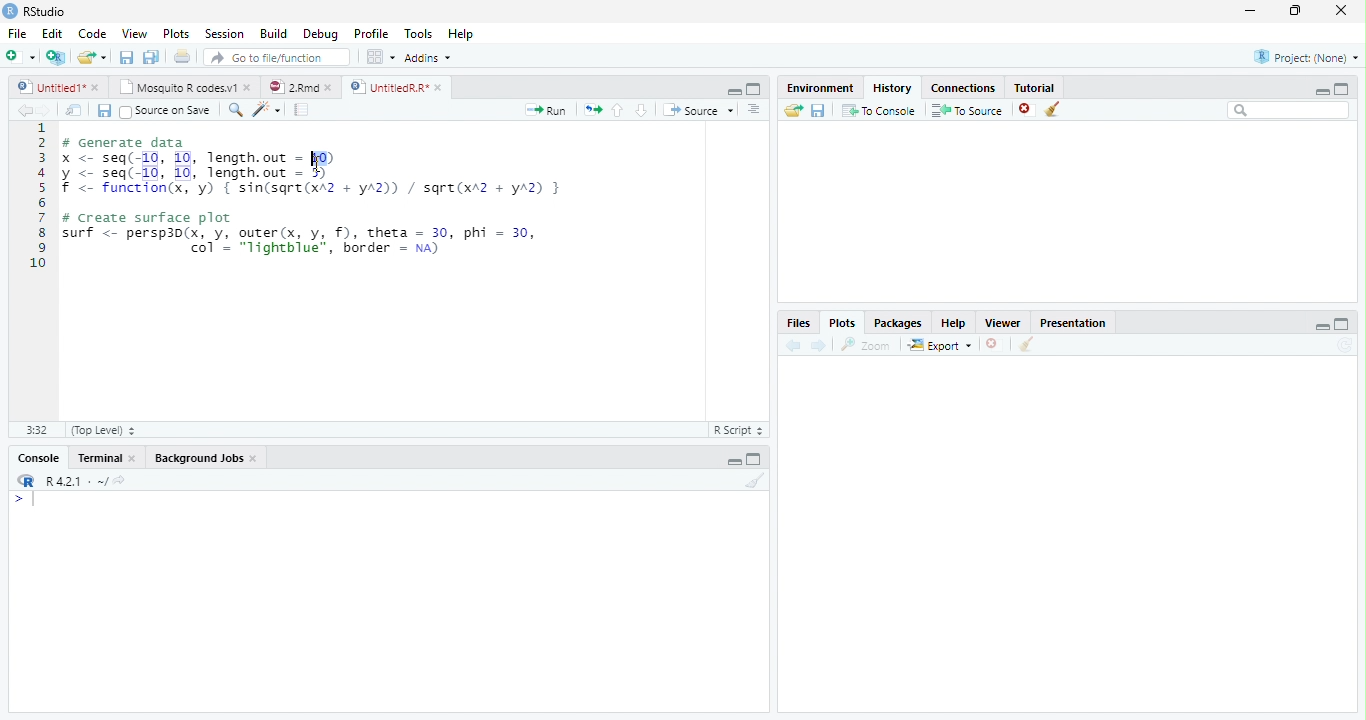  What do you see at coordinates (24, 480) in the screenshot?
I see `R` at bounding box center [24, 480].